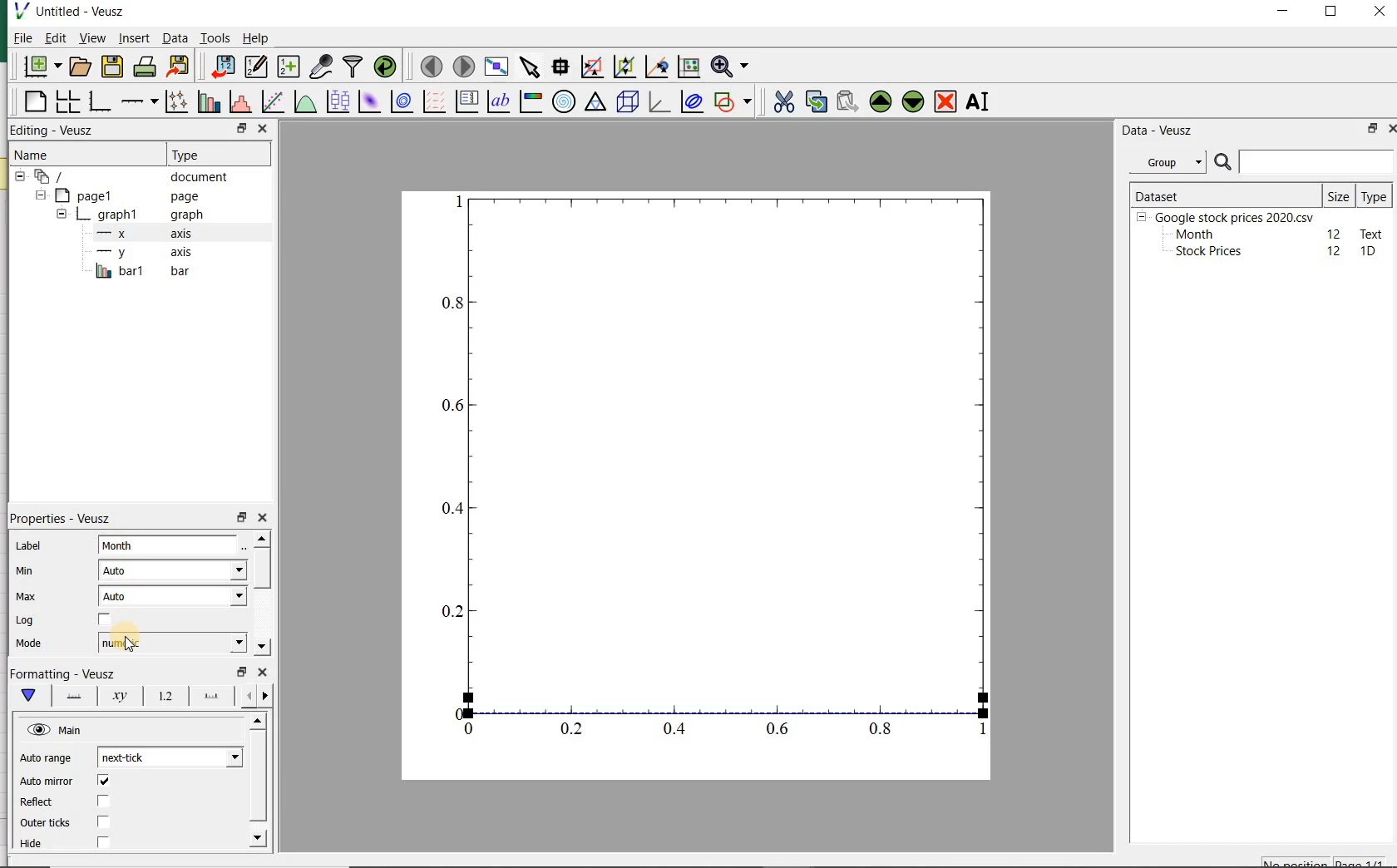 The width and height of the screenshot is (1397, 868). Describe the element at coordinates (262, 128) in the screenshot. I see `close` at that location.